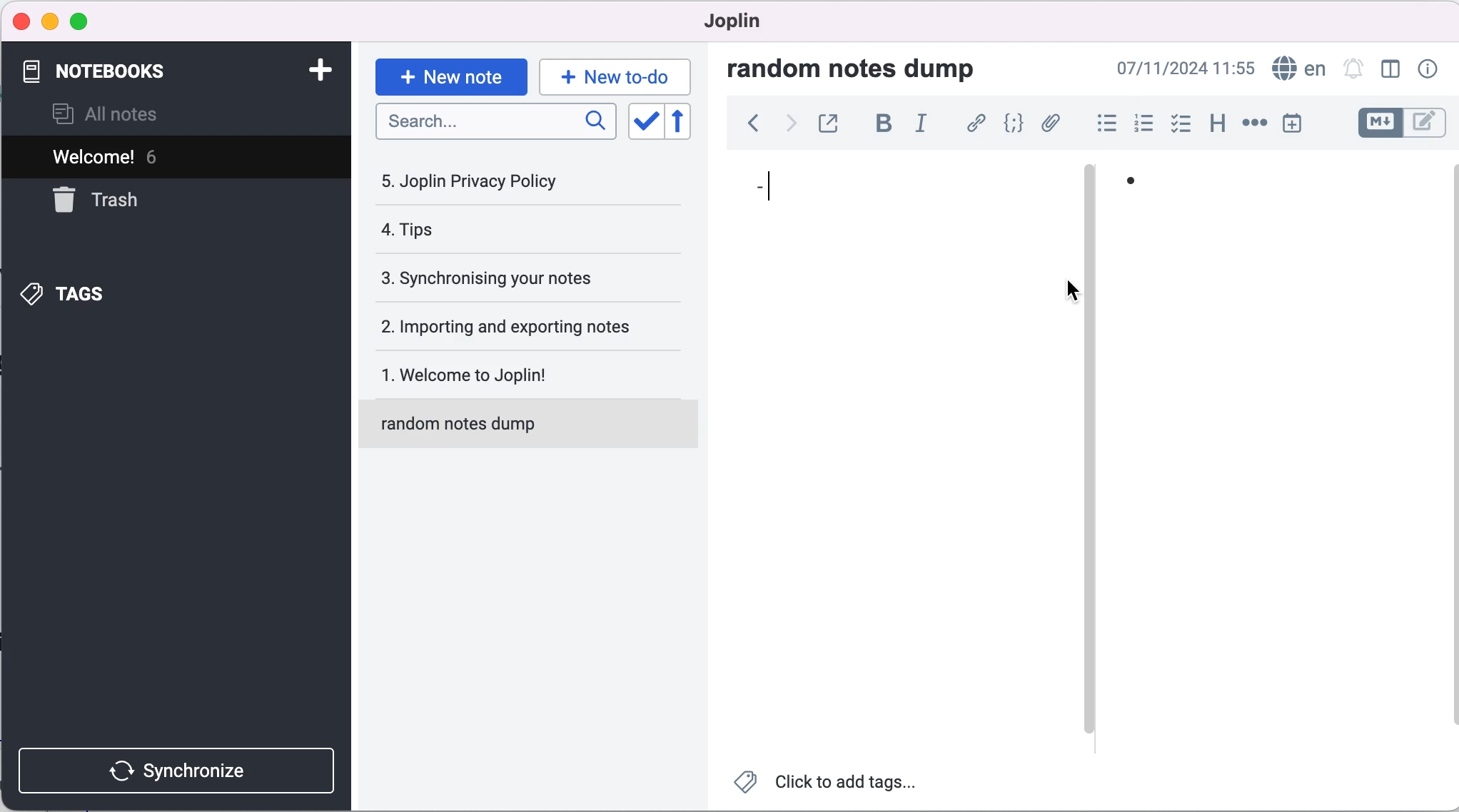 The width and height of the screenshot is (1459, 812). What do you see at coordinates (128, 113) in the screenshot?
I see `all notes` at bounding box center [128, 113].